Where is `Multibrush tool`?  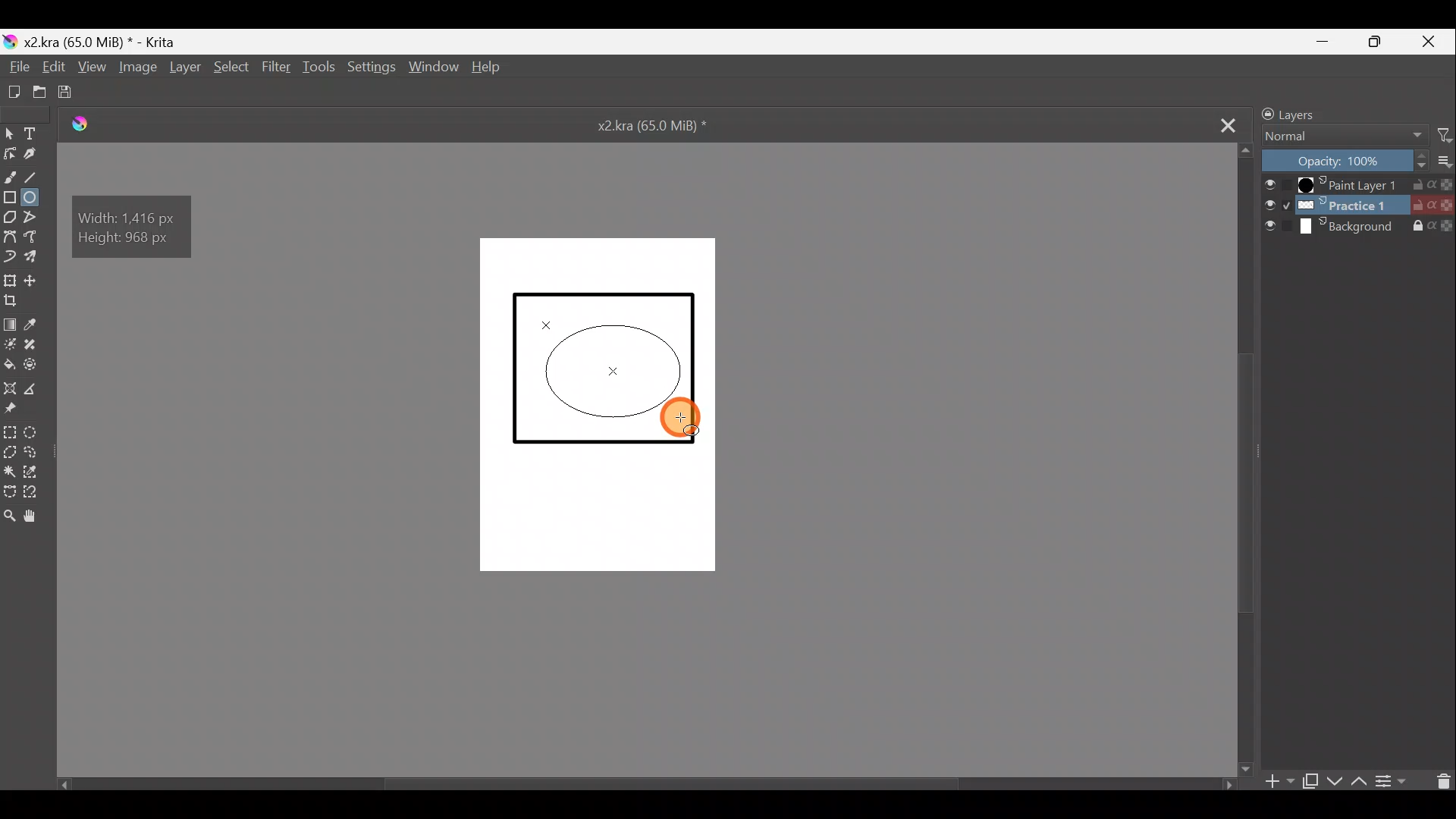
Multibrush tool is located at coordinates (35, 256).